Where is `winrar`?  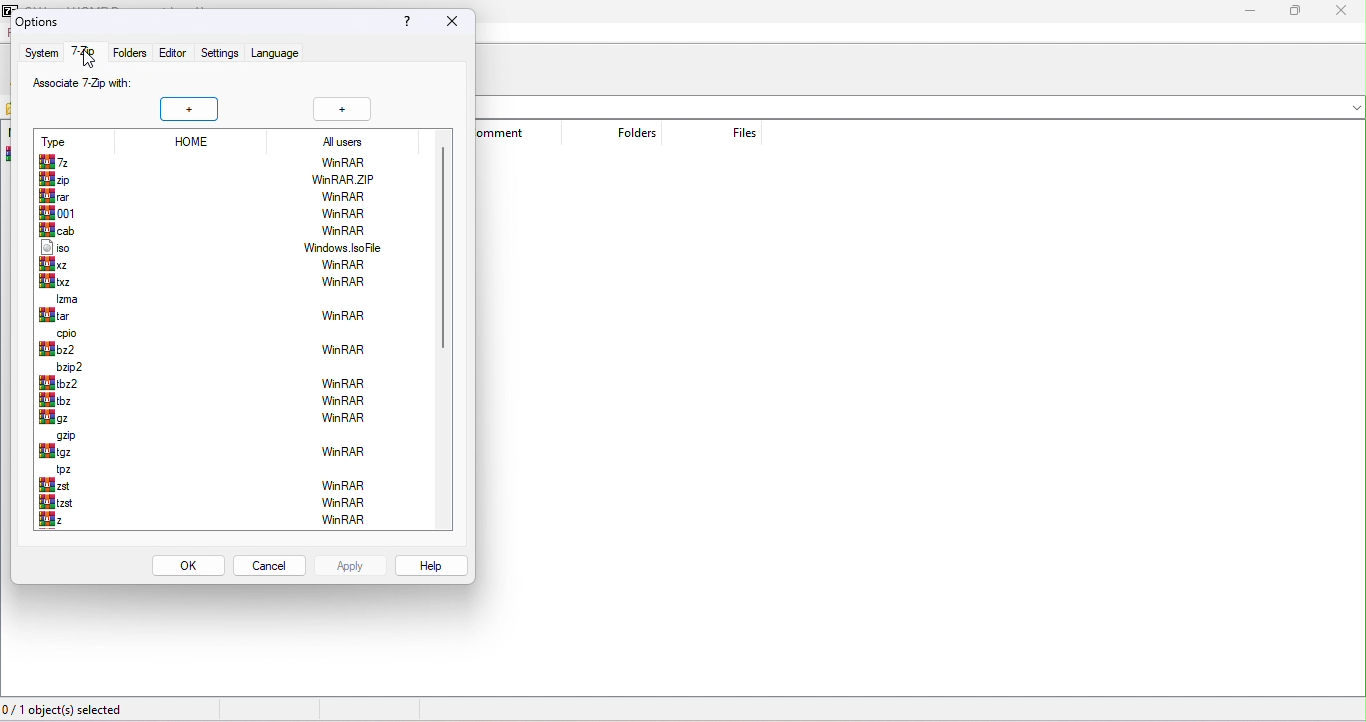
winrar is located at coordinates (341, 418).